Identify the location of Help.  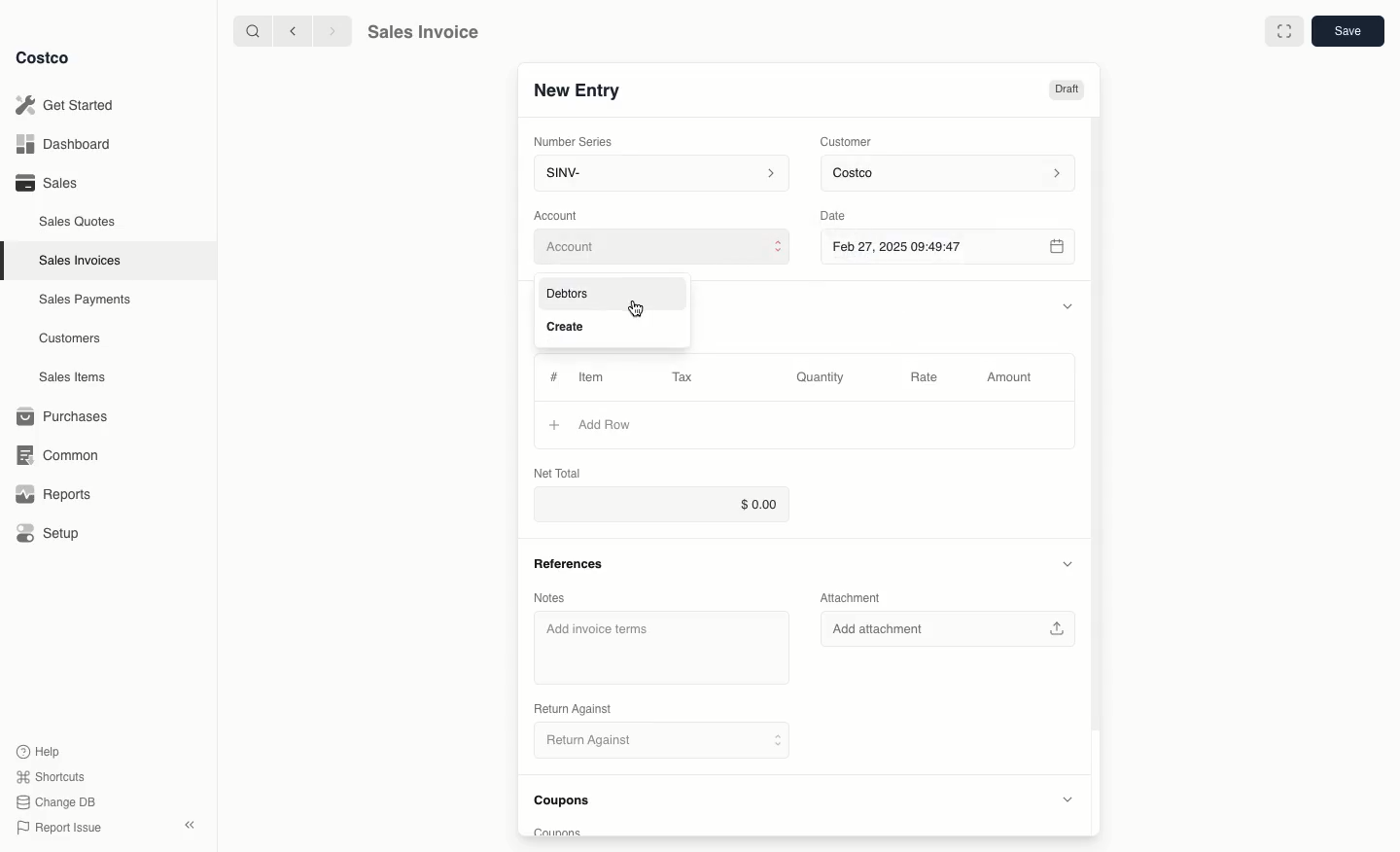
(40, 750).